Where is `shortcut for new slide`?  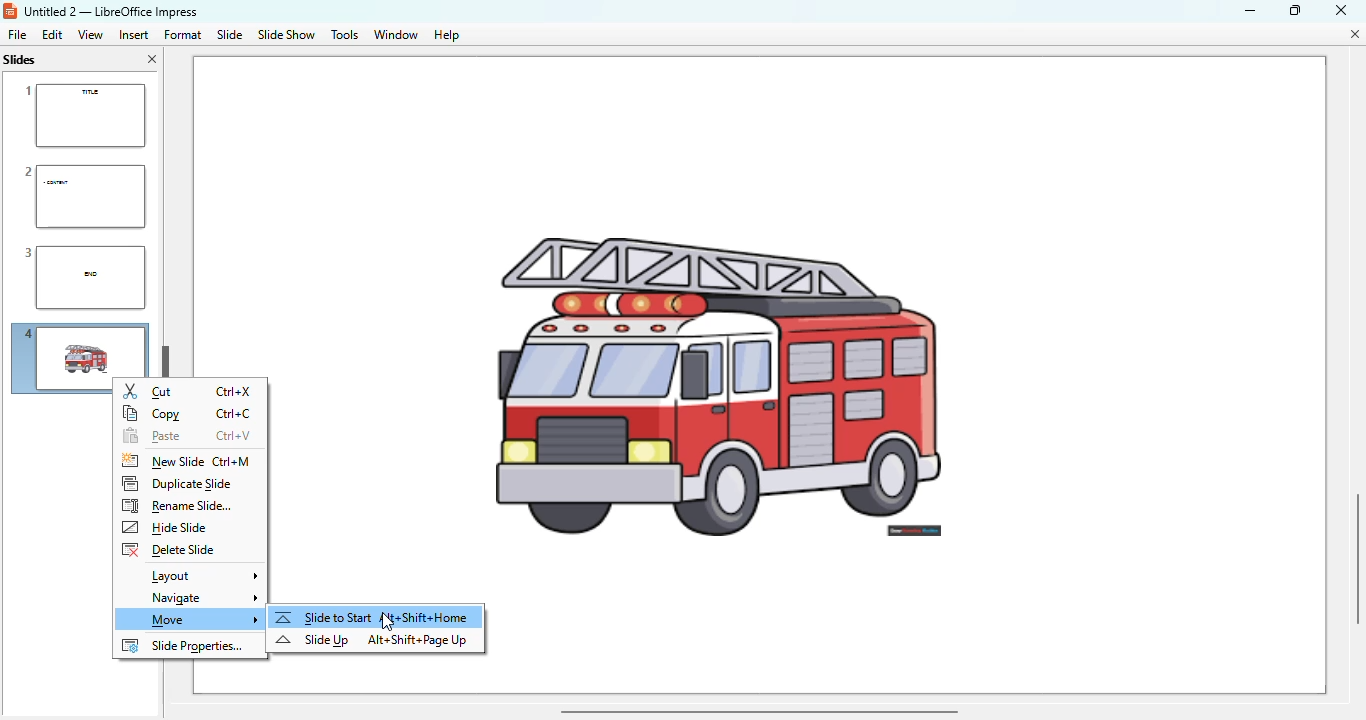 shortcut for new slide is located at coordinates (232, 462).